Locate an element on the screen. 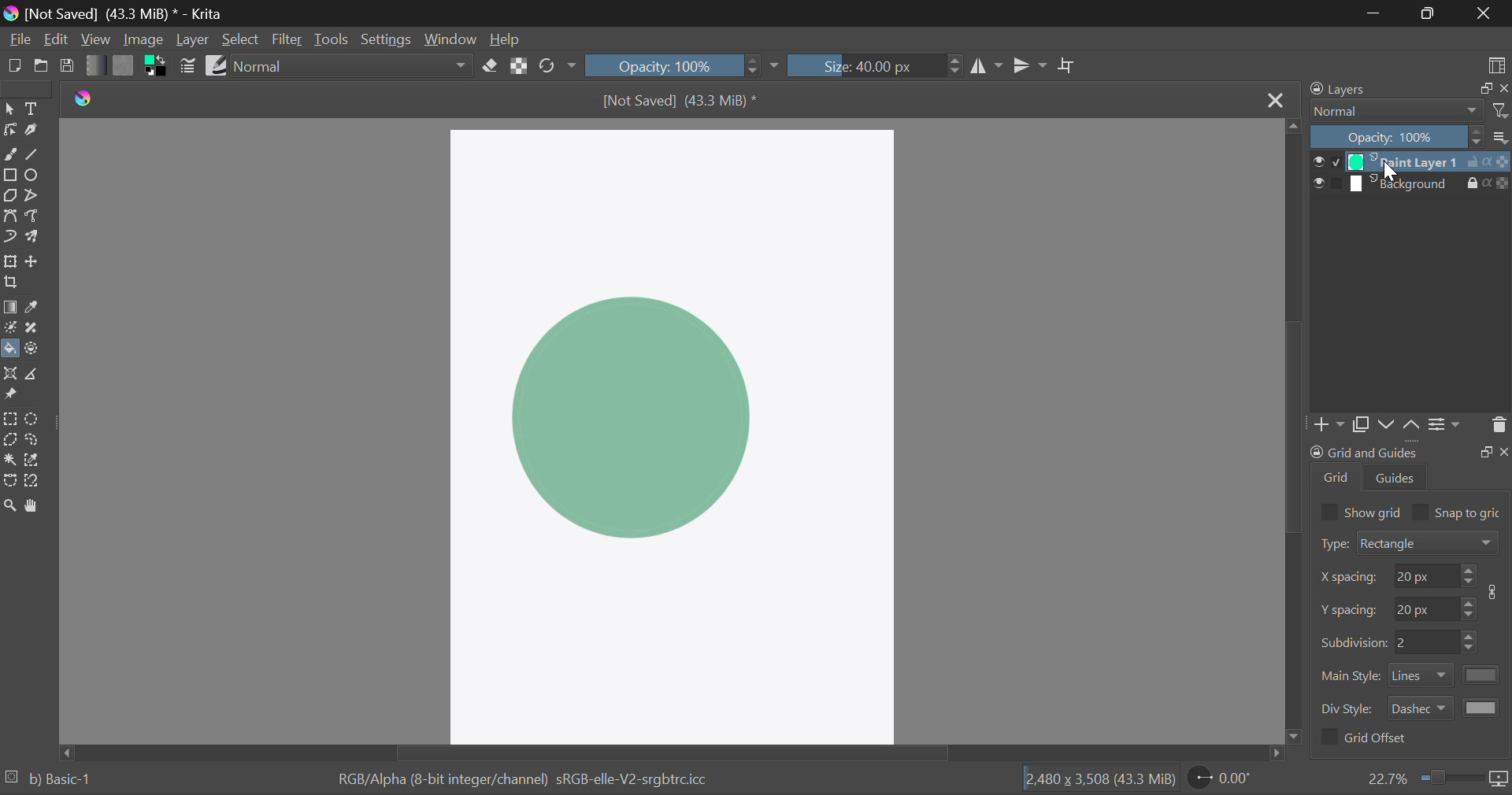 Image resolution: width=1512 pixels, height=795 pixels. Select is located at coordinates (241, 39).